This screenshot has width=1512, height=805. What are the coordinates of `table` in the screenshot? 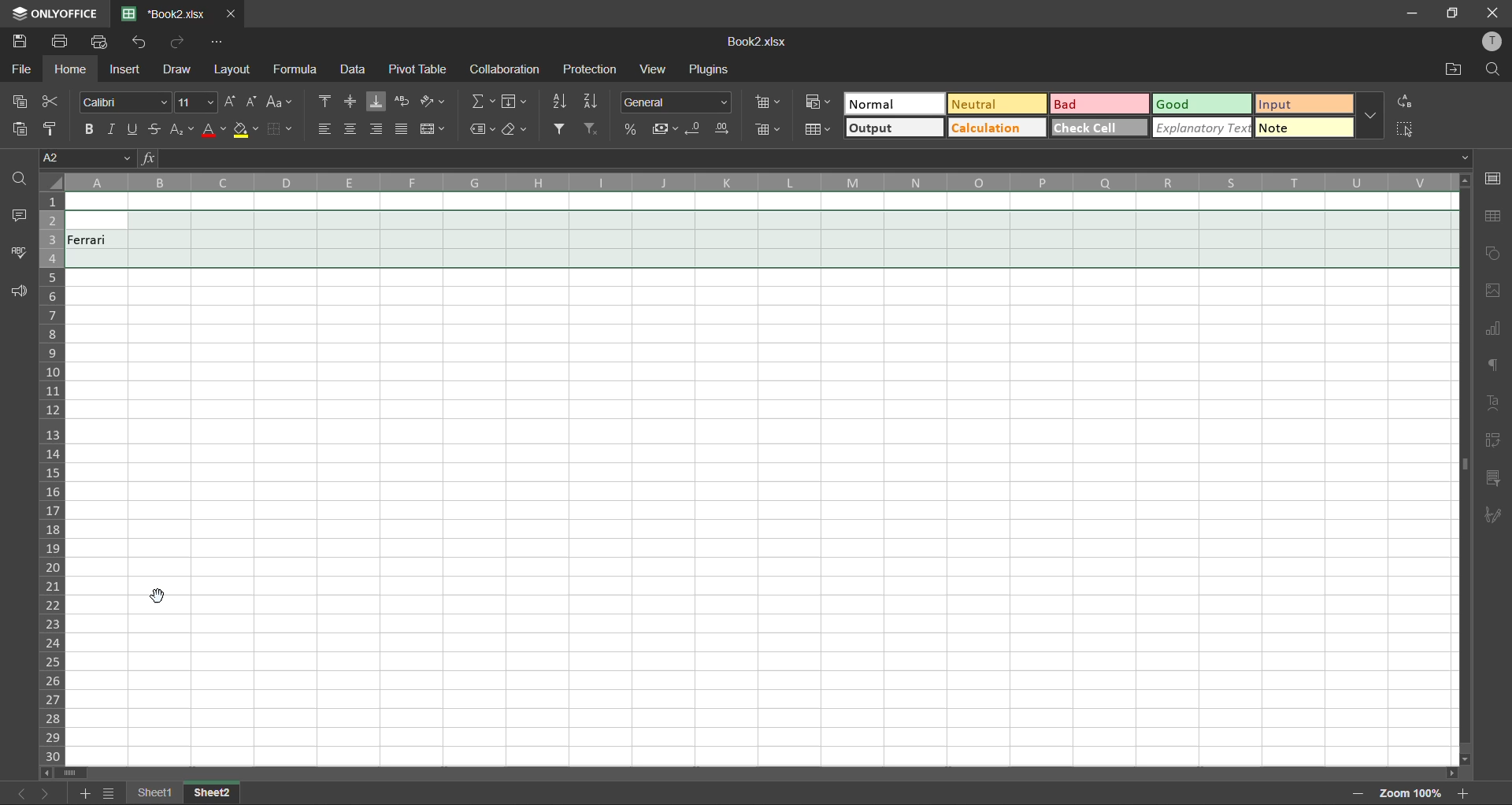 It's located at (1495, 217).